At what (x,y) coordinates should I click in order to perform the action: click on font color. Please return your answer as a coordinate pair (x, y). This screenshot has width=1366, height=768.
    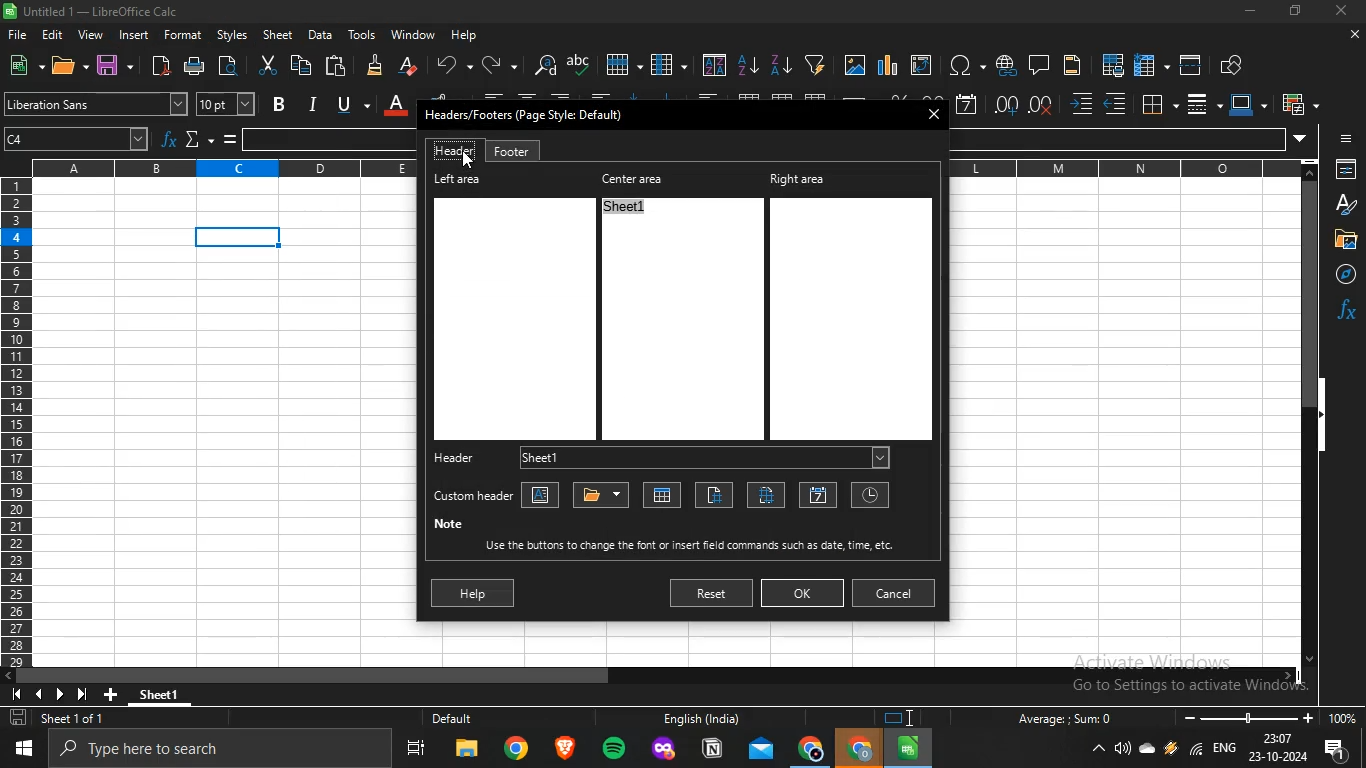
    Looking at the image, I should click on (395, 103).